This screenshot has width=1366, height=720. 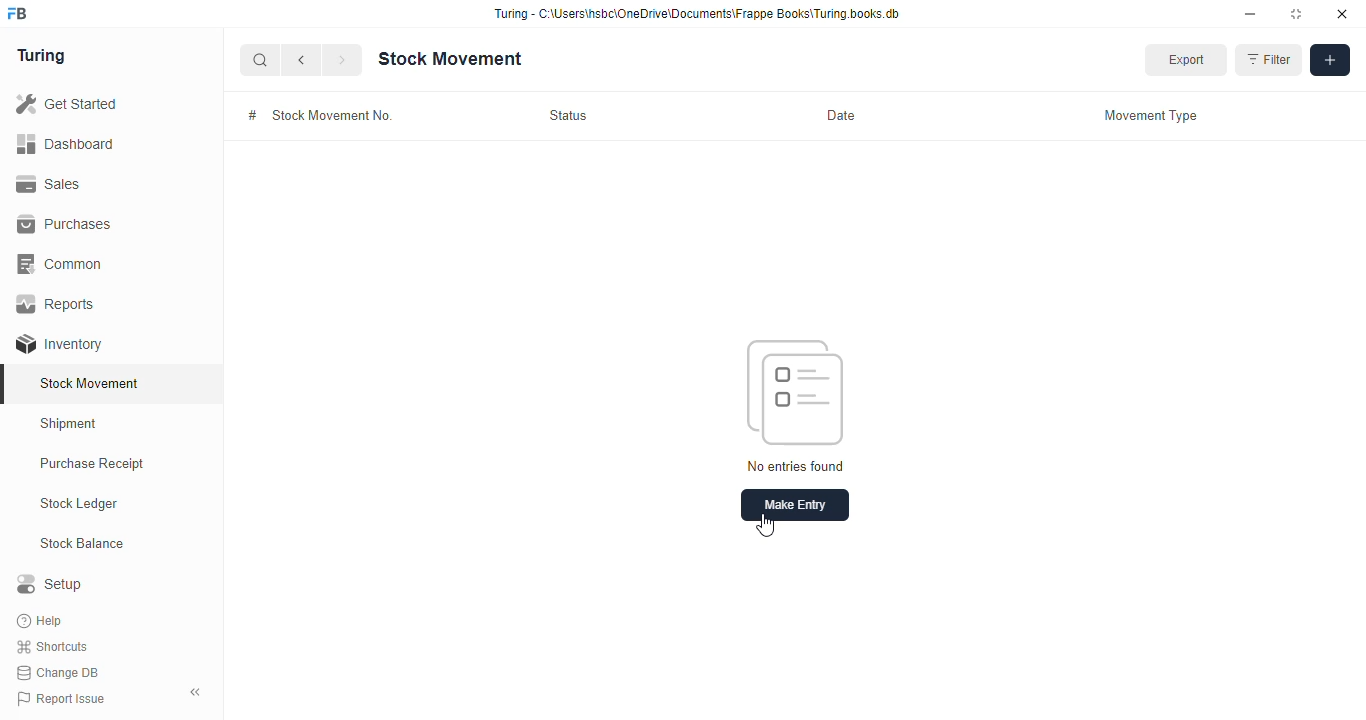 What do you see at coordinates (1330, 60) in the screenshot?
I see `add` at bounding box center [1330, 60].